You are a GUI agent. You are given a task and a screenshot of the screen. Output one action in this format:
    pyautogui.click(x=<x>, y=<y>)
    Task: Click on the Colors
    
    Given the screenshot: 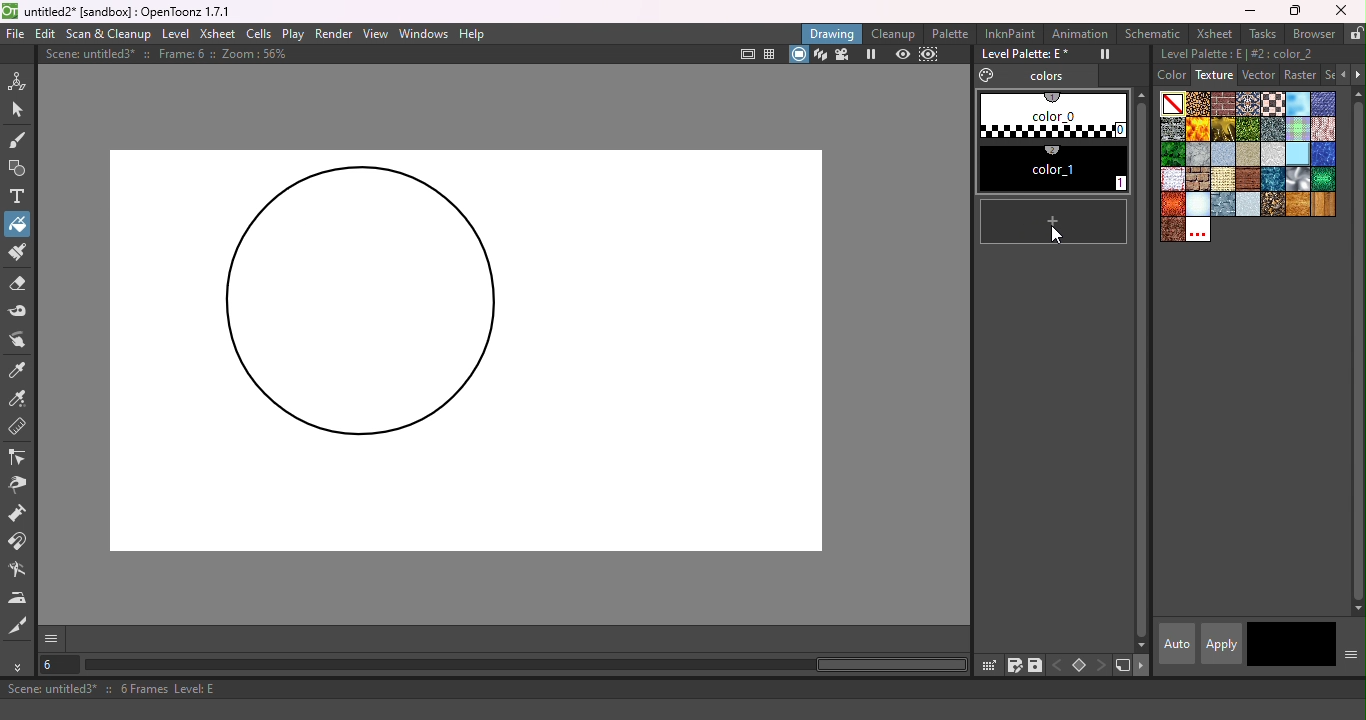 What is the action you would take?
    pyautogui.click(x=1034, y=76)
    